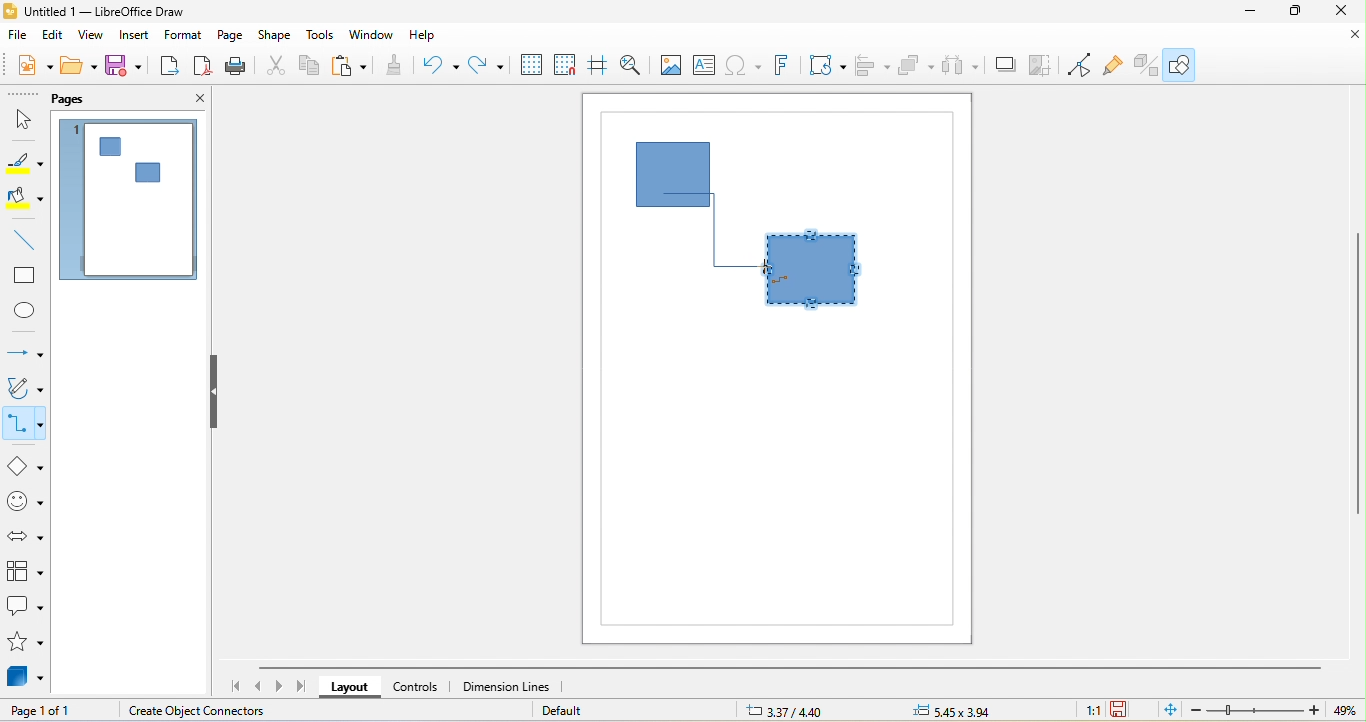 The image size is (1366, 722). Describe the element at coordinates (1278, 709) in the screenshot. I see `zoom` at that location.